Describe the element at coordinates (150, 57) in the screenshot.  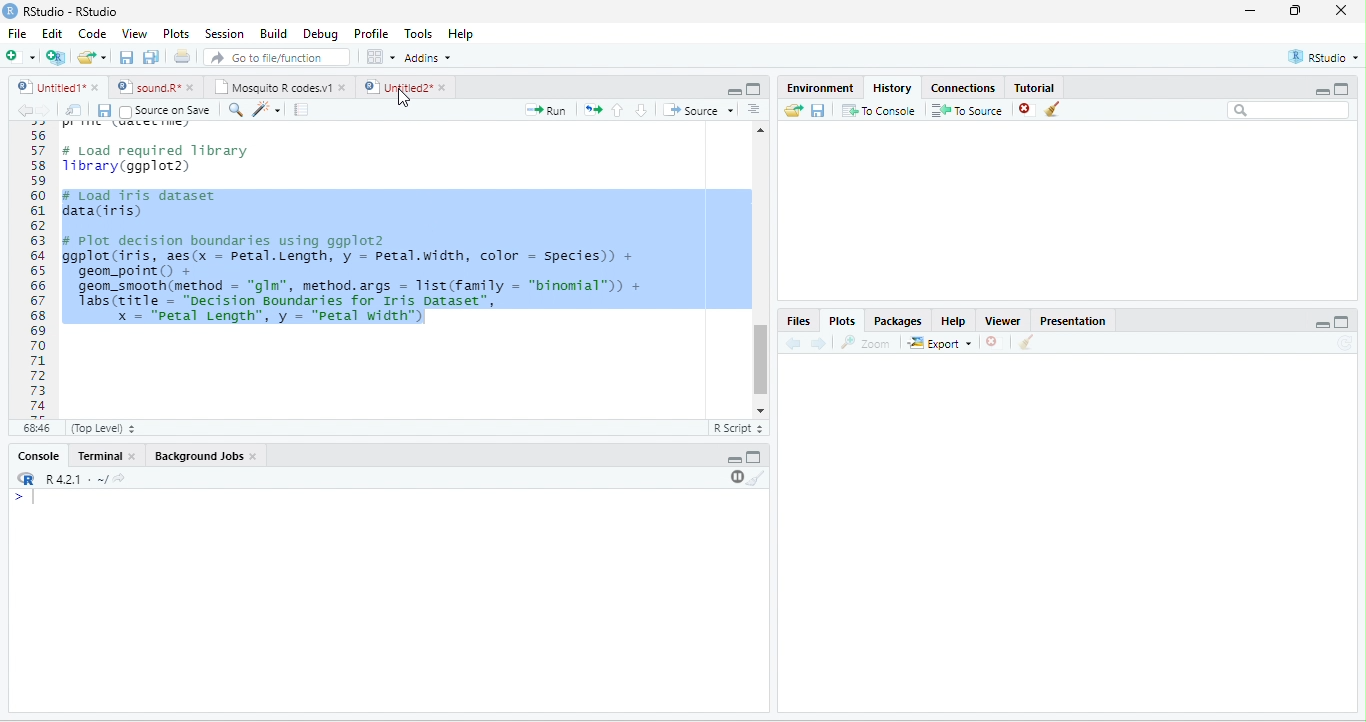
I see `save all` at that location.